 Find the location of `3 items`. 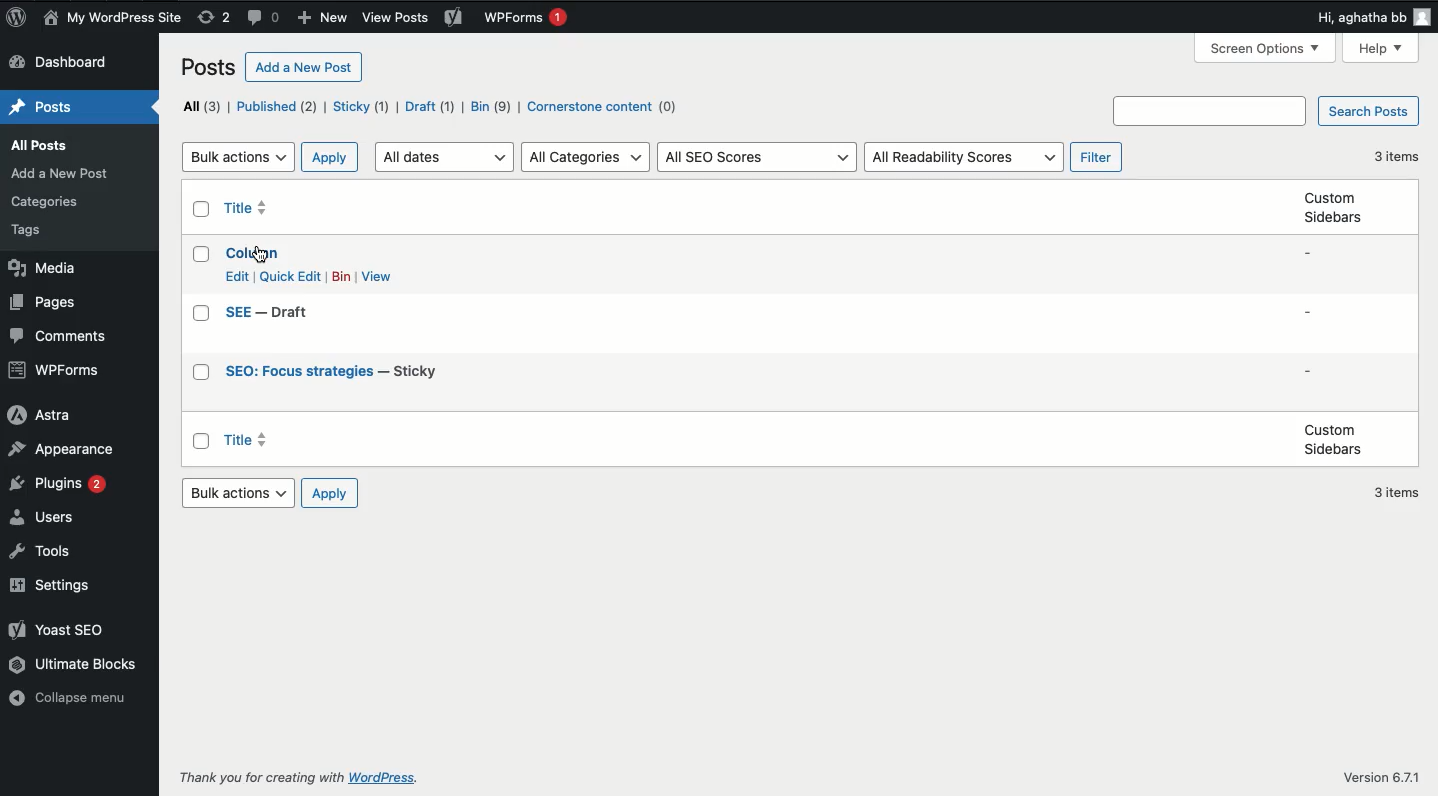

3 items is located at coordinates (1397, 157).